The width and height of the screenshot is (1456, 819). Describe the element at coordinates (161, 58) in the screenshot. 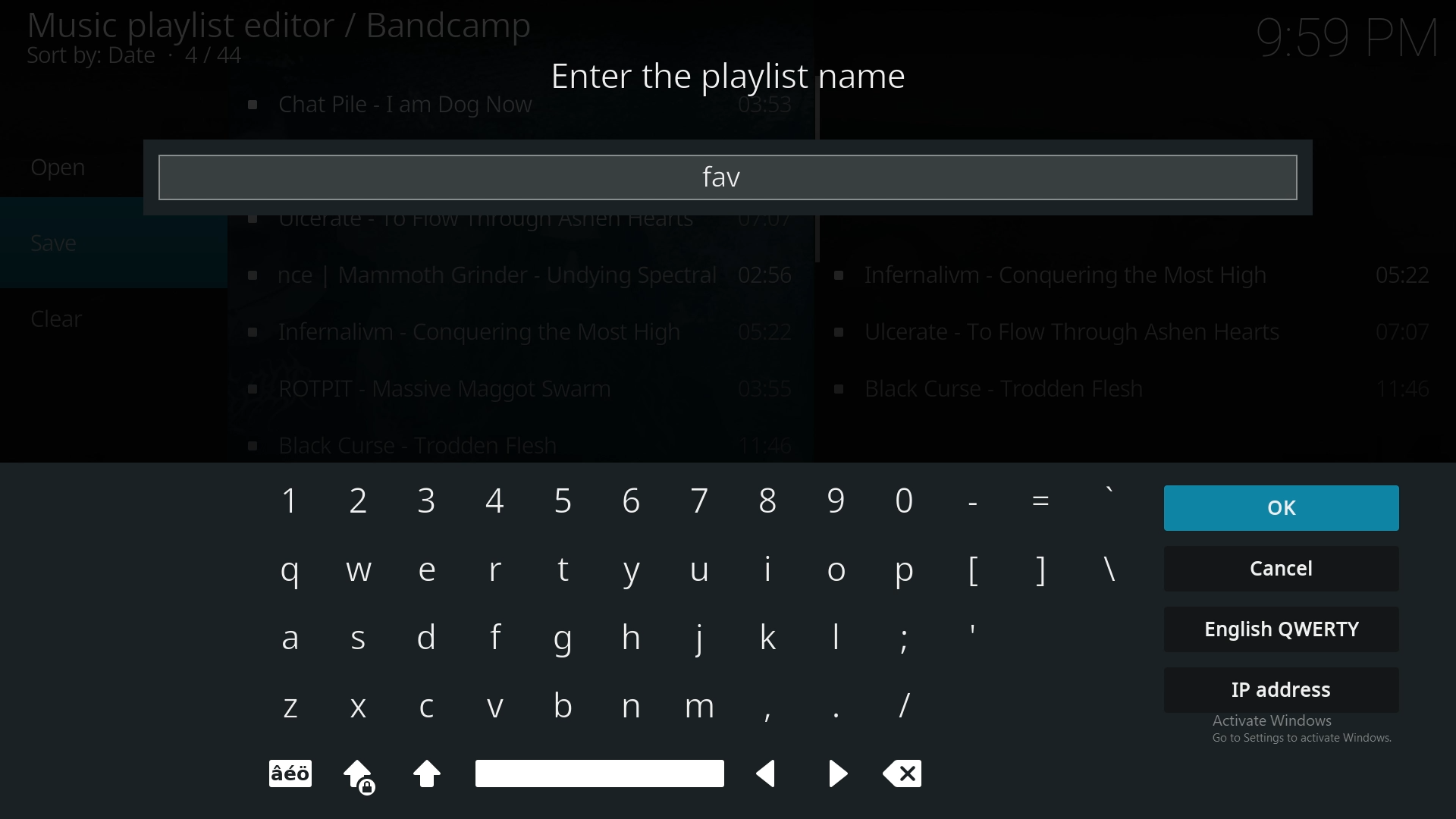

I see `Sort by: Date • 5/44` at that location.